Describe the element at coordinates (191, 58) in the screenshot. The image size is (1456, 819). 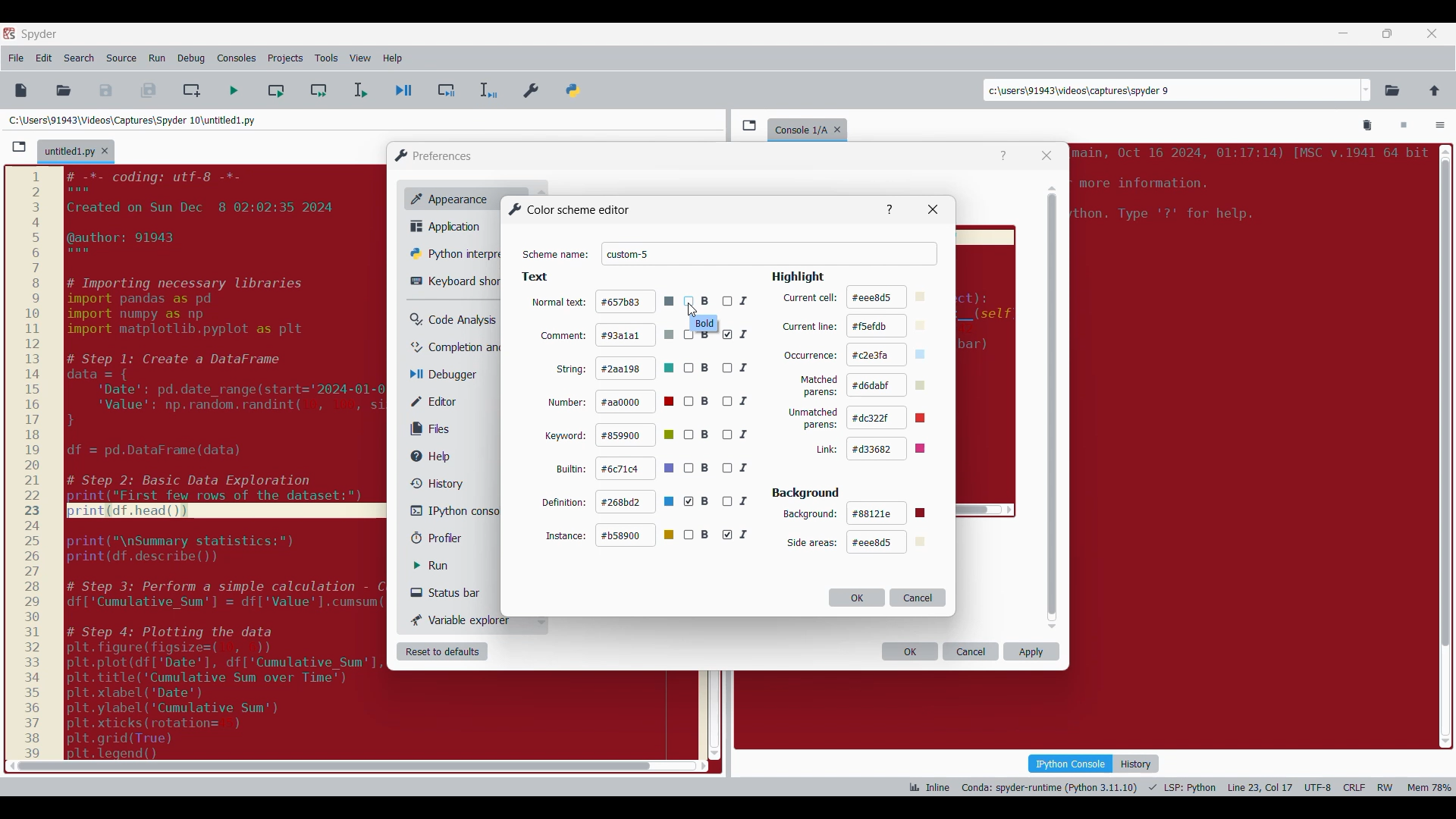
I see `Debug menu` at that location.